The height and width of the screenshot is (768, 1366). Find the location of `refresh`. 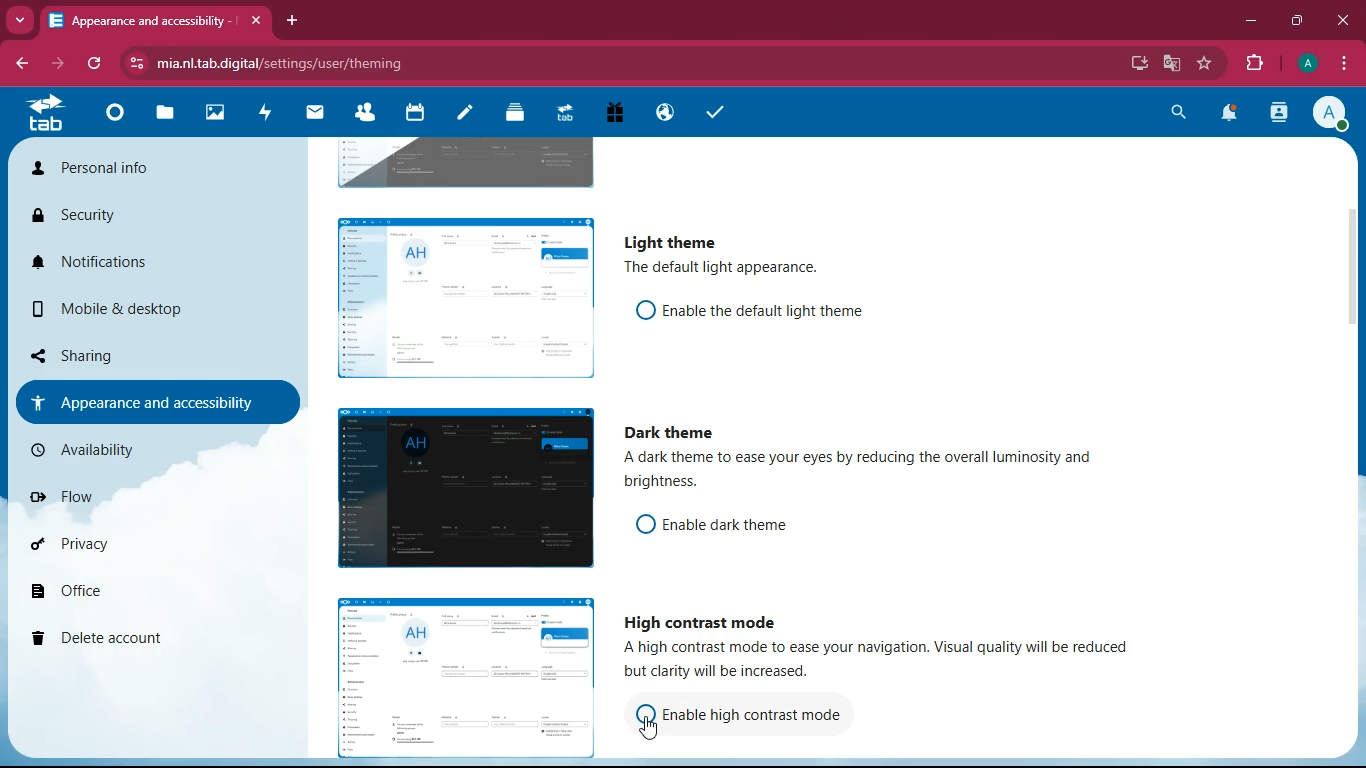

refresh is located at coordinates (91, 65).